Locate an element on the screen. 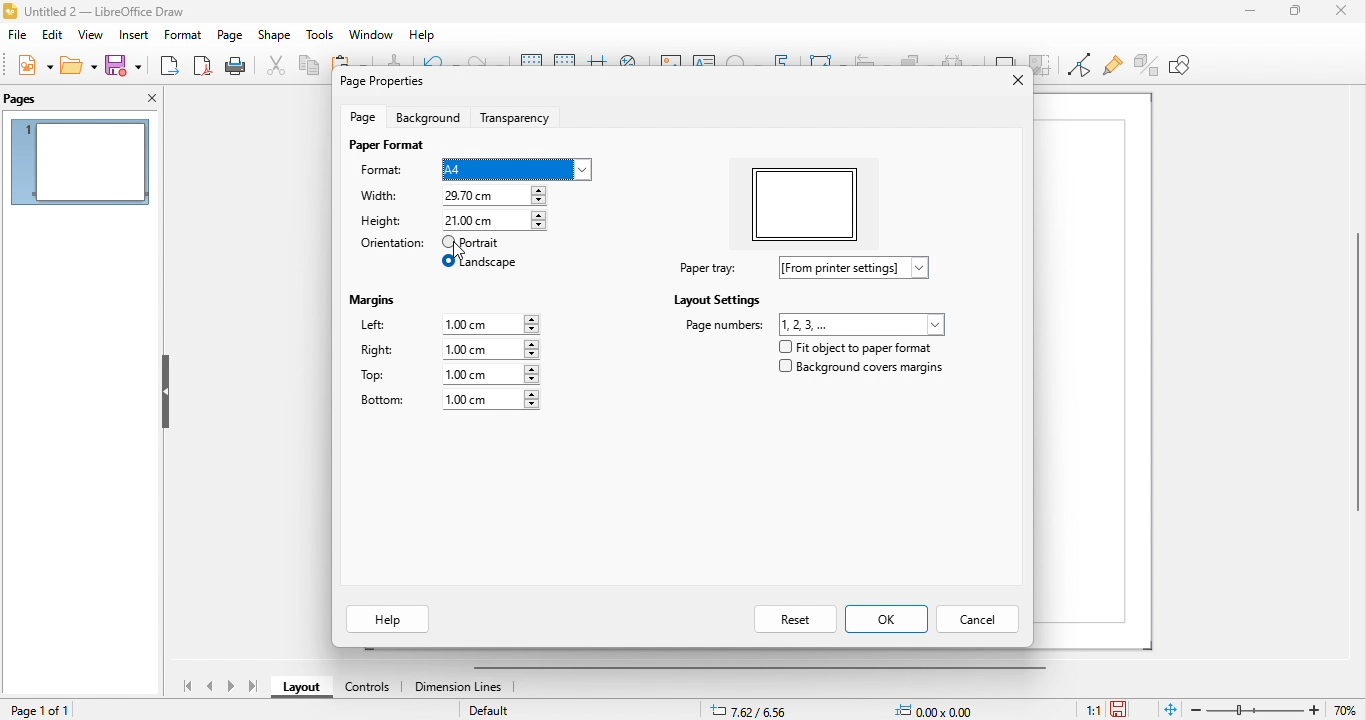 This screenshot has width=1366, height=720. A4 is located at coordinates (517, 168).